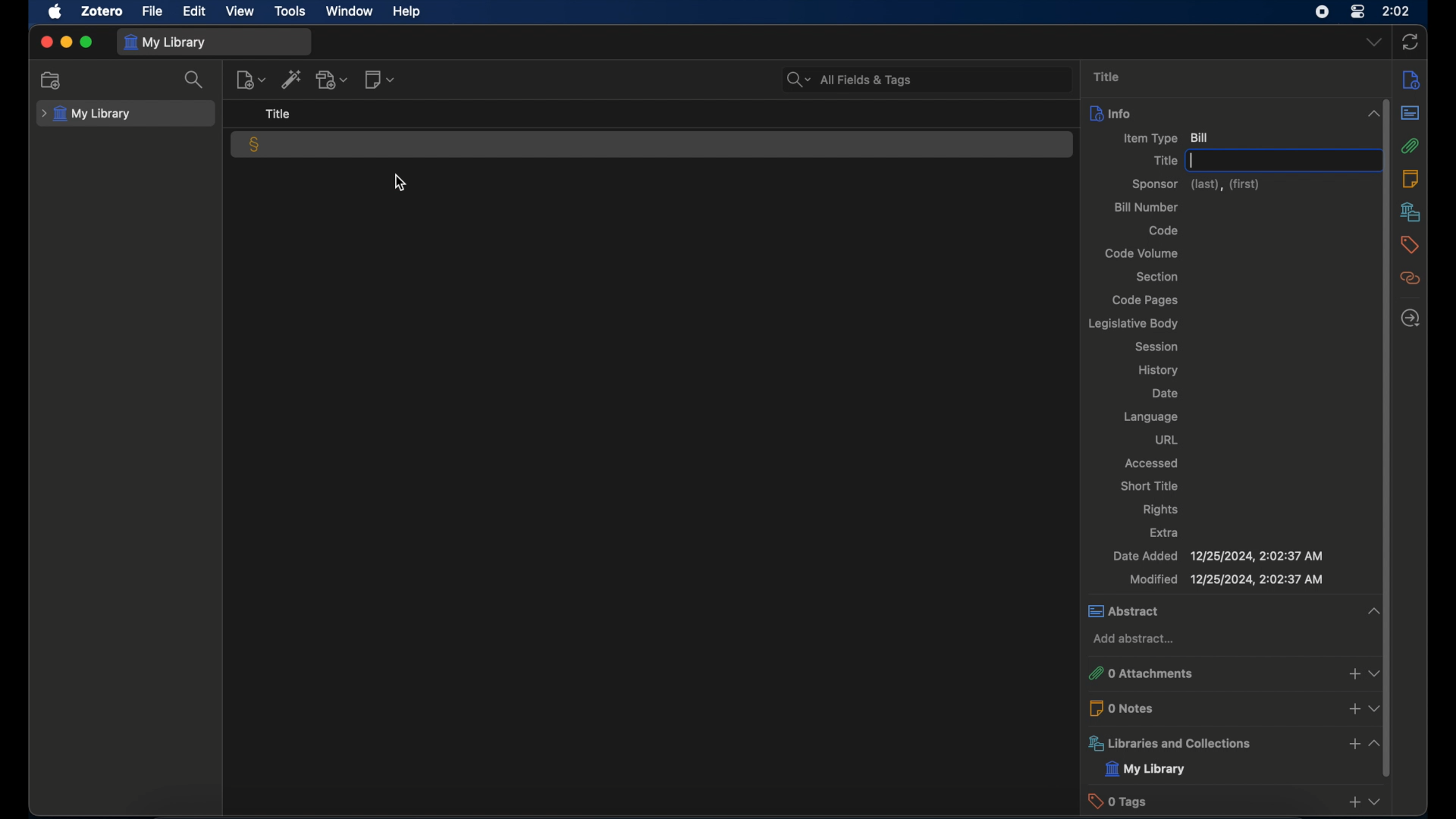 The image size is (1456, 819). What do you see at coordinates (45, 40) in the screenshot?
I see `close` at bounding box center [45, 40].